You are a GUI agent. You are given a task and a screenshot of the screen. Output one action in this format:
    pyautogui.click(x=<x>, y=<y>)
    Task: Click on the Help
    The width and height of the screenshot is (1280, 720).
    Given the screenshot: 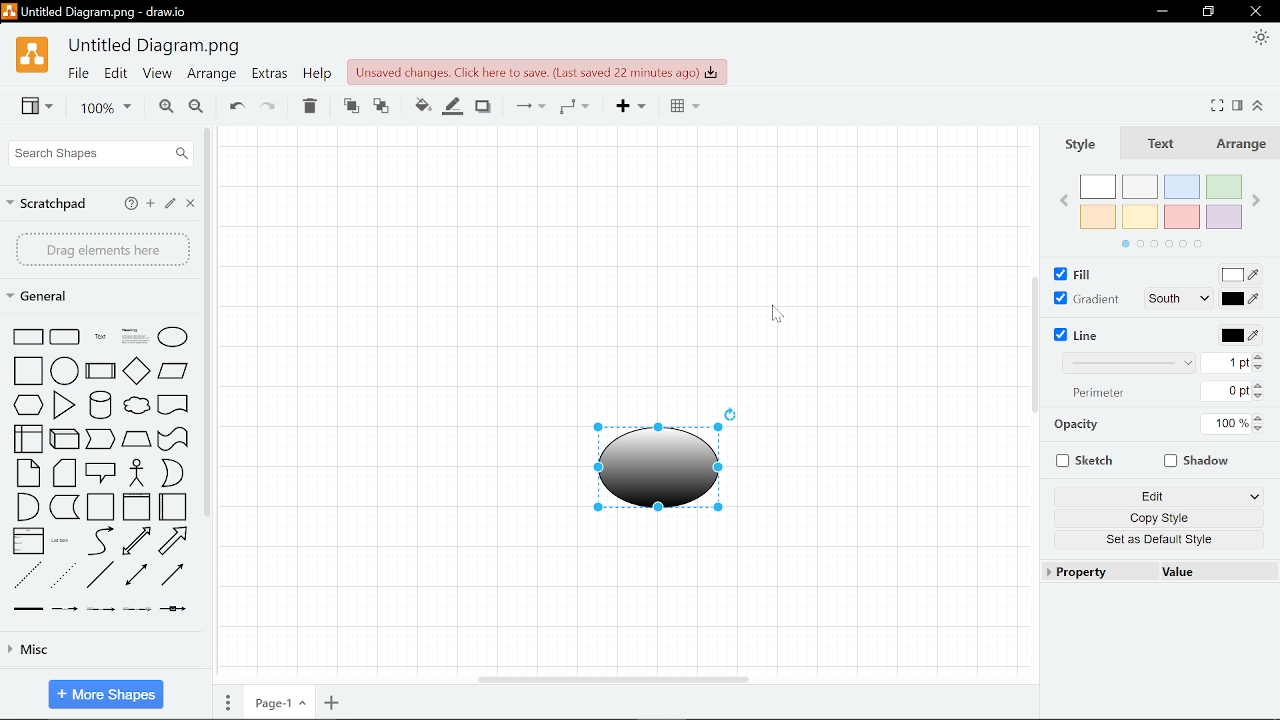 What is the action you would take?
    pyautogui.click(x=317, y=74)
    